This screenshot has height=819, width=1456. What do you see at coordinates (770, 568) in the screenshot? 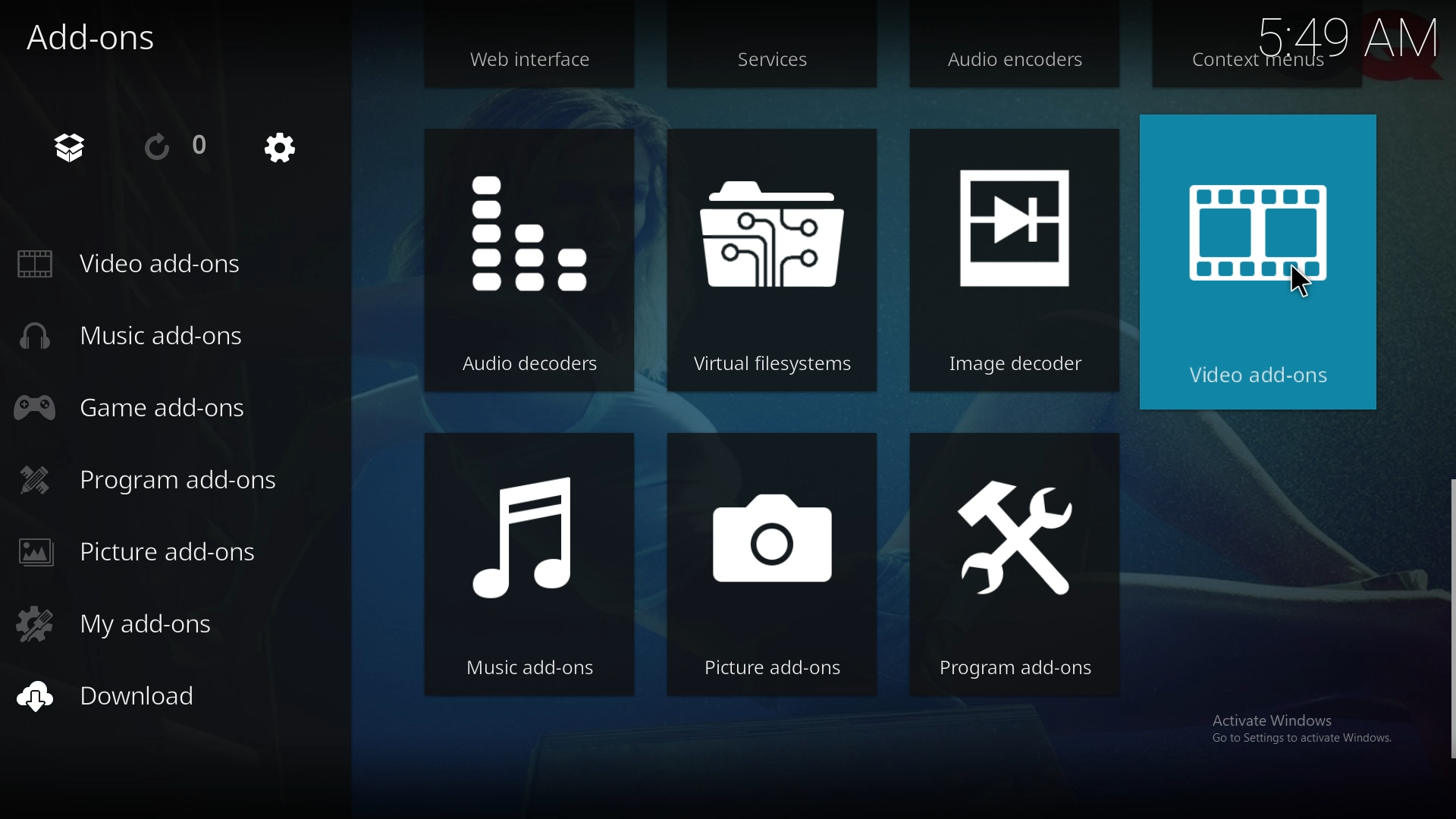
I see `picture add ons` at bounding box center [770, 568].